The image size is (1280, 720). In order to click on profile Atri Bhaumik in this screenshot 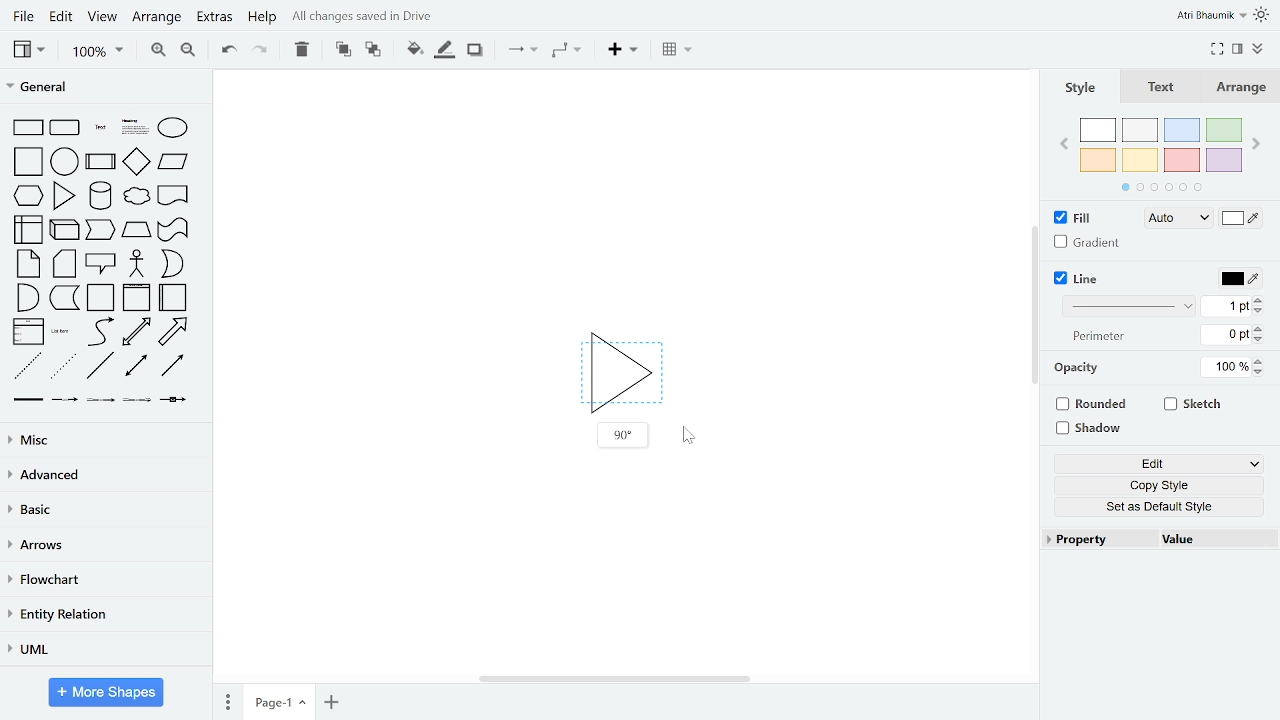, I will do `click(1210, 16)`.